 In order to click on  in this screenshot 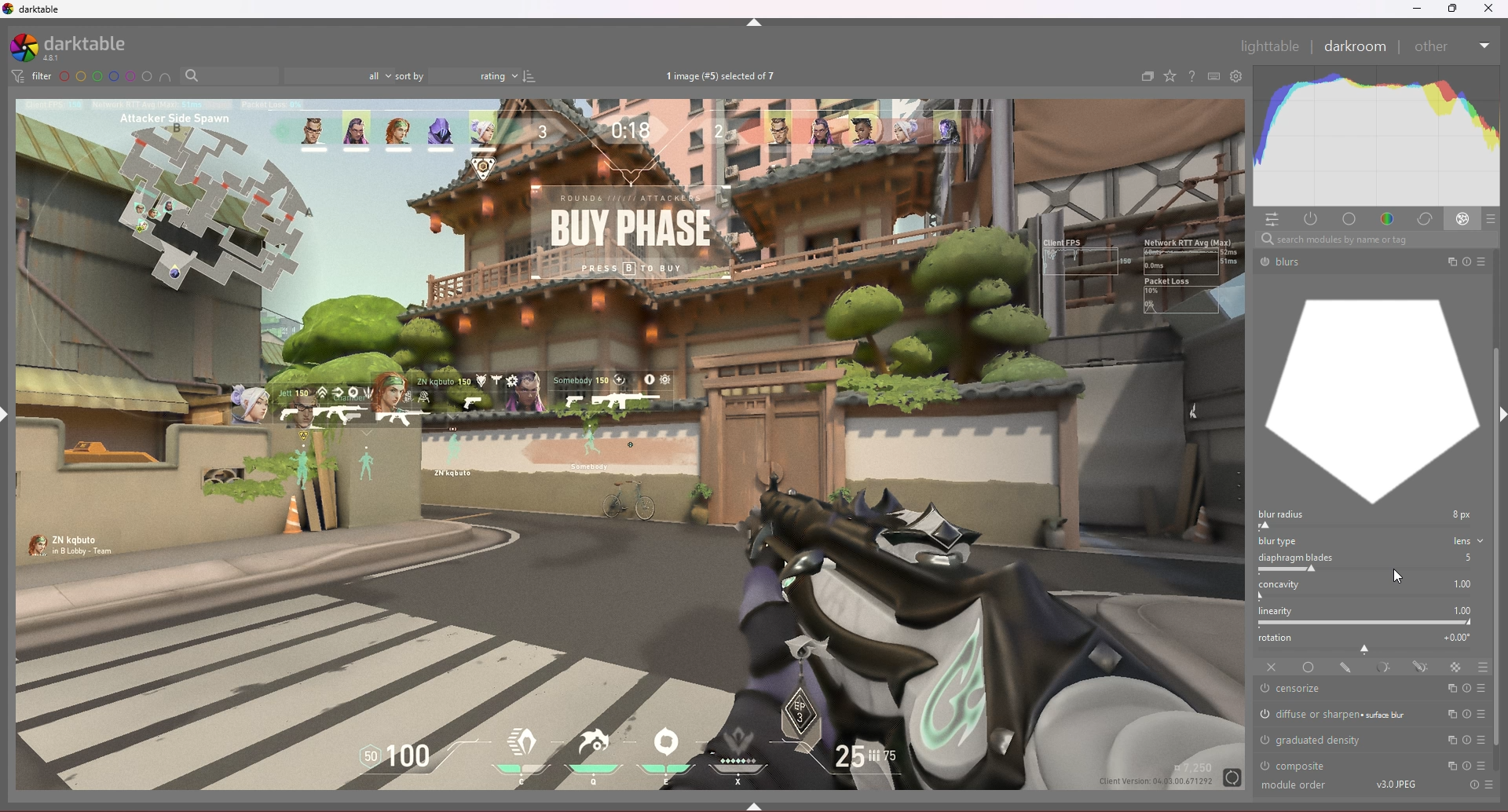, I will do `click(1489, 9)`.